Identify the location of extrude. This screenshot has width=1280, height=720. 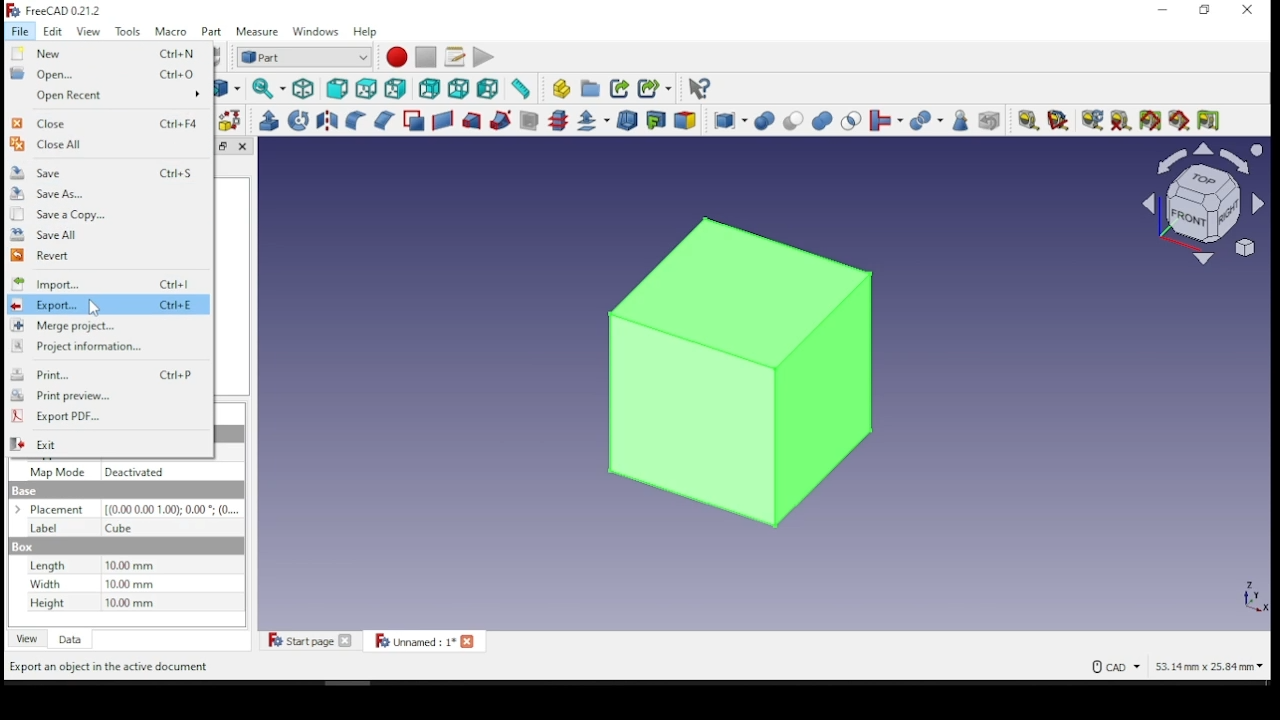
(269, 121).